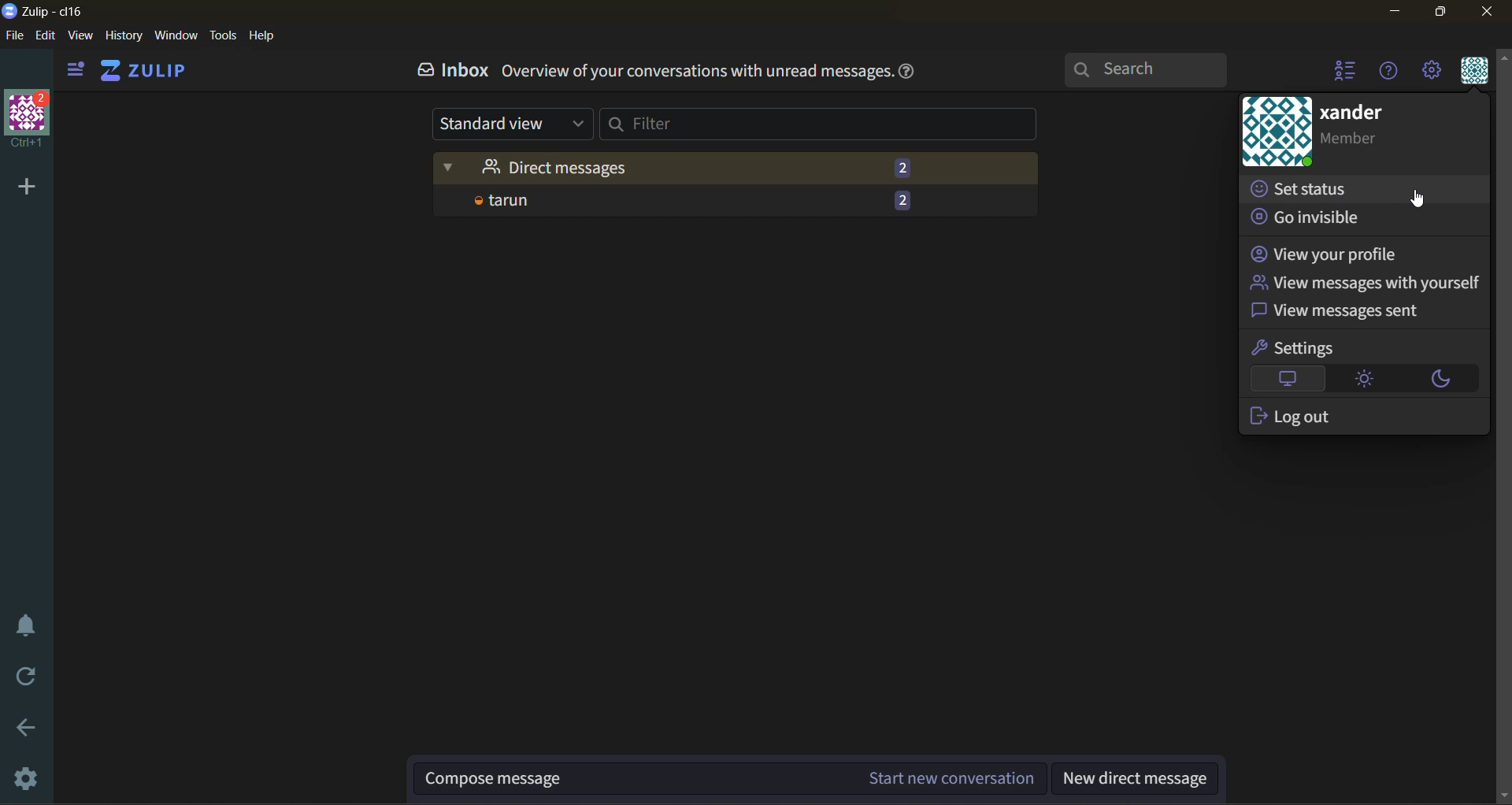 This screenshot has width=1512, height=805. What do you see at coordinates (1392, 75) in the screenshot?
I see `help menu` at bounding box center [1392, 75].